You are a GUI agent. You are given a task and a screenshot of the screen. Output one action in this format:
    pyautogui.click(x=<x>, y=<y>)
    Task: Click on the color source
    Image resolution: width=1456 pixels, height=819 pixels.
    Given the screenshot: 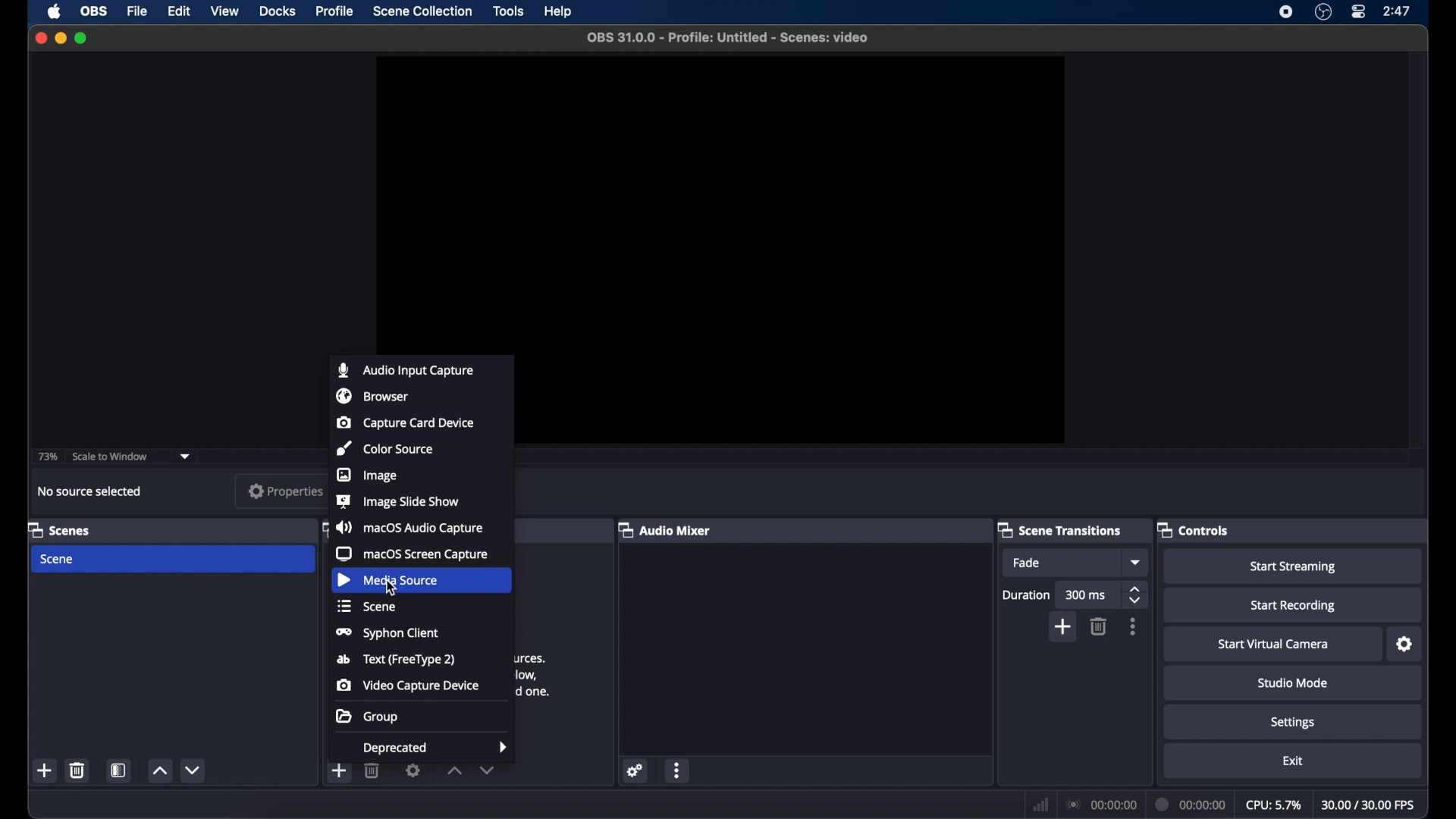 What is the action you would take?
    pyautogui.click(x=384, y=448)
    